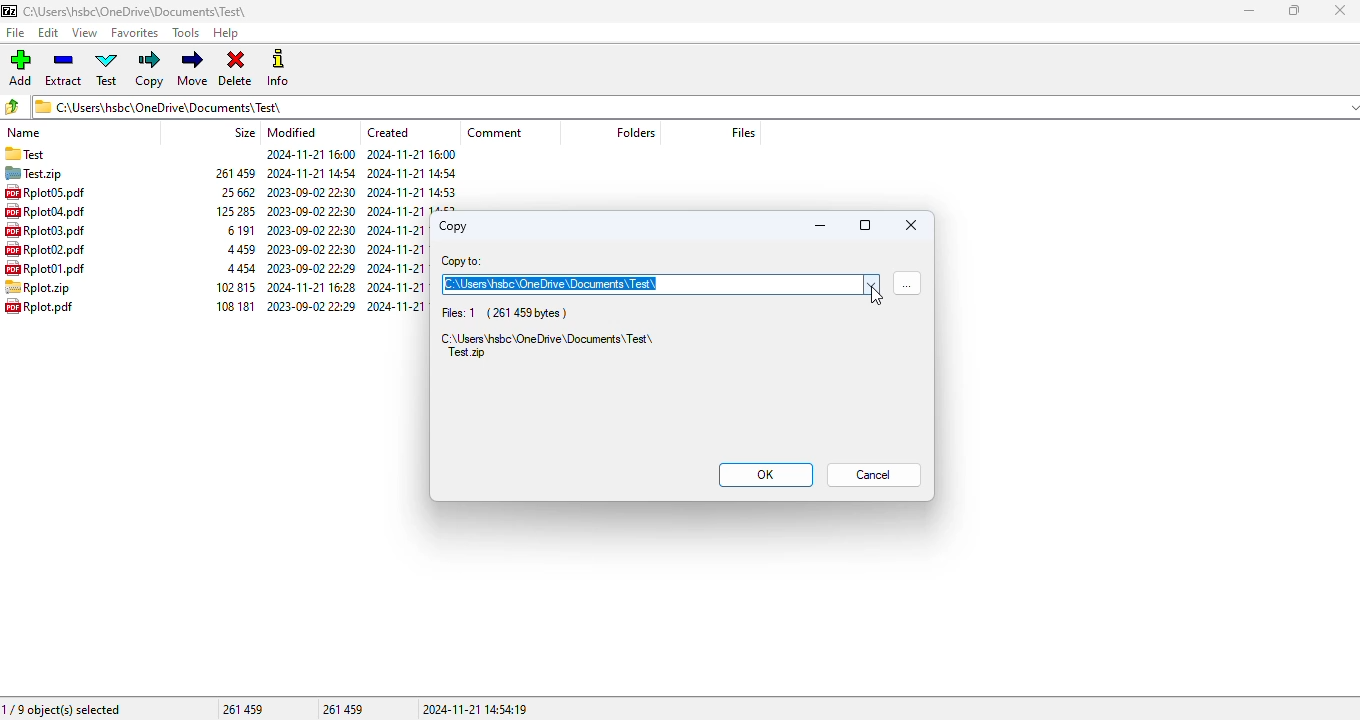 This screenshot has height=720, width=1360. Describe the element at coordinates (279, 67) in the screenshot. I see `info` at that location.